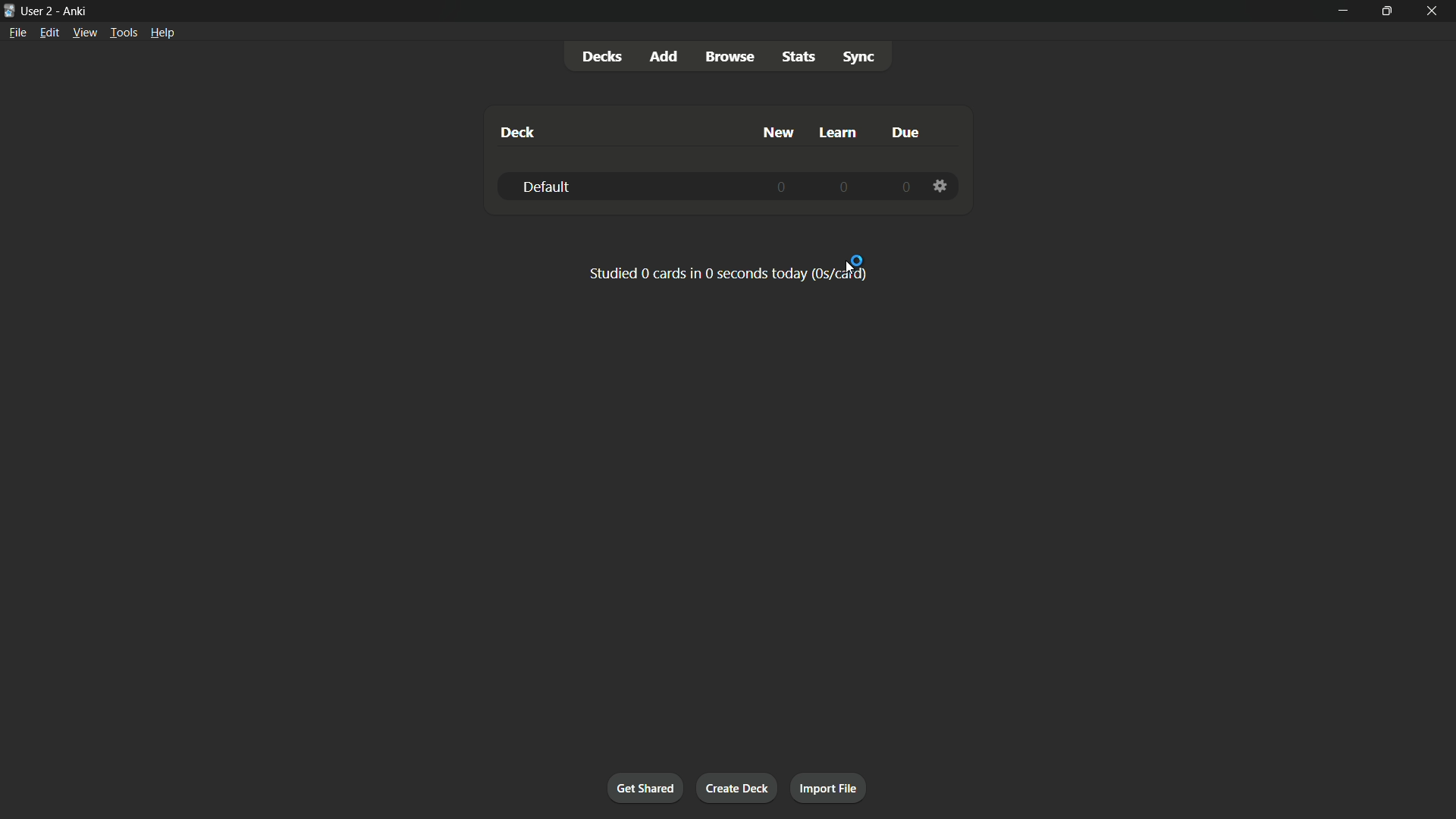 The height and width of the screenshot is (819, 1456). I want to click on close app, so click(1433, 11).